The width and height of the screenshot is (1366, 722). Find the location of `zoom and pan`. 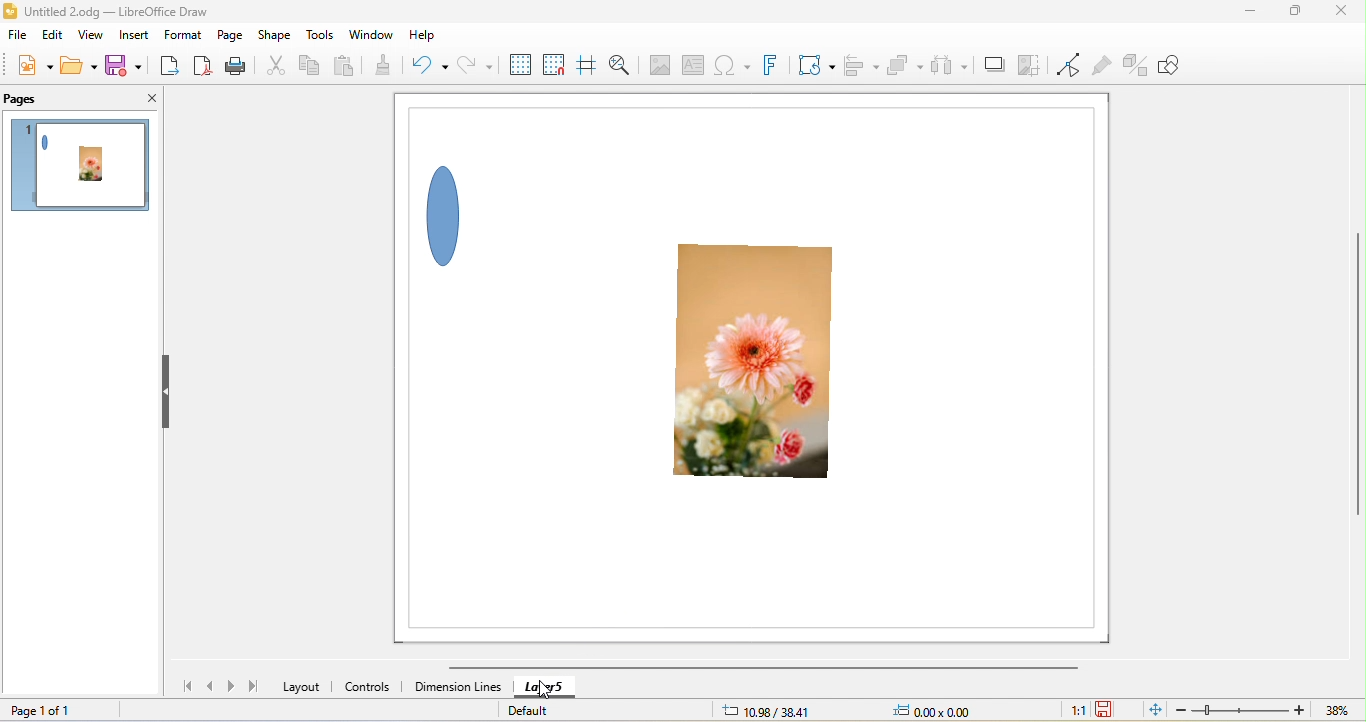

zoom and pan is located at coordinates (619, 65).